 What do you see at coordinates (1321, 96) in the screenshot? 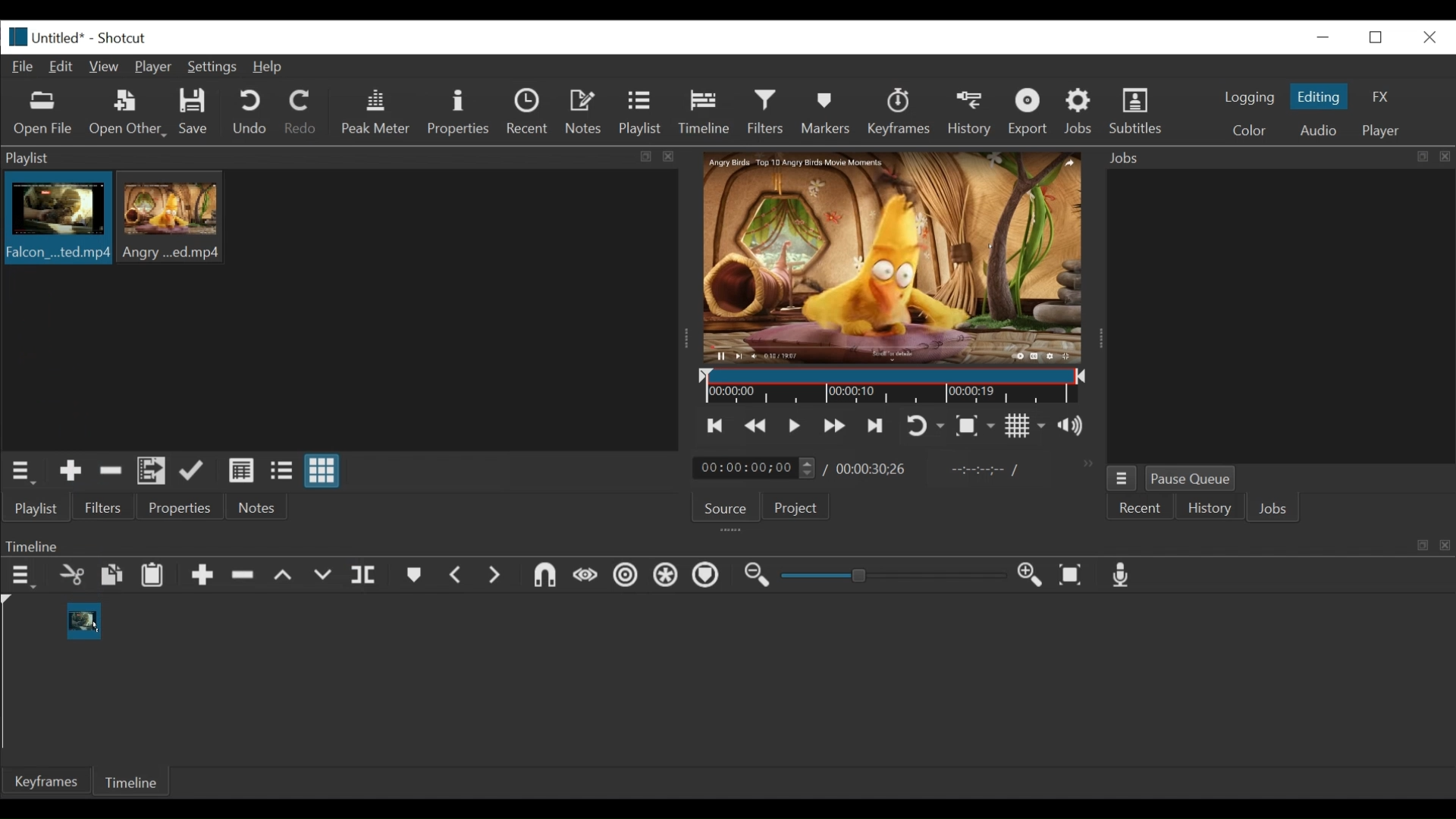
I see `Editing` at bounding box center [1321, 96].